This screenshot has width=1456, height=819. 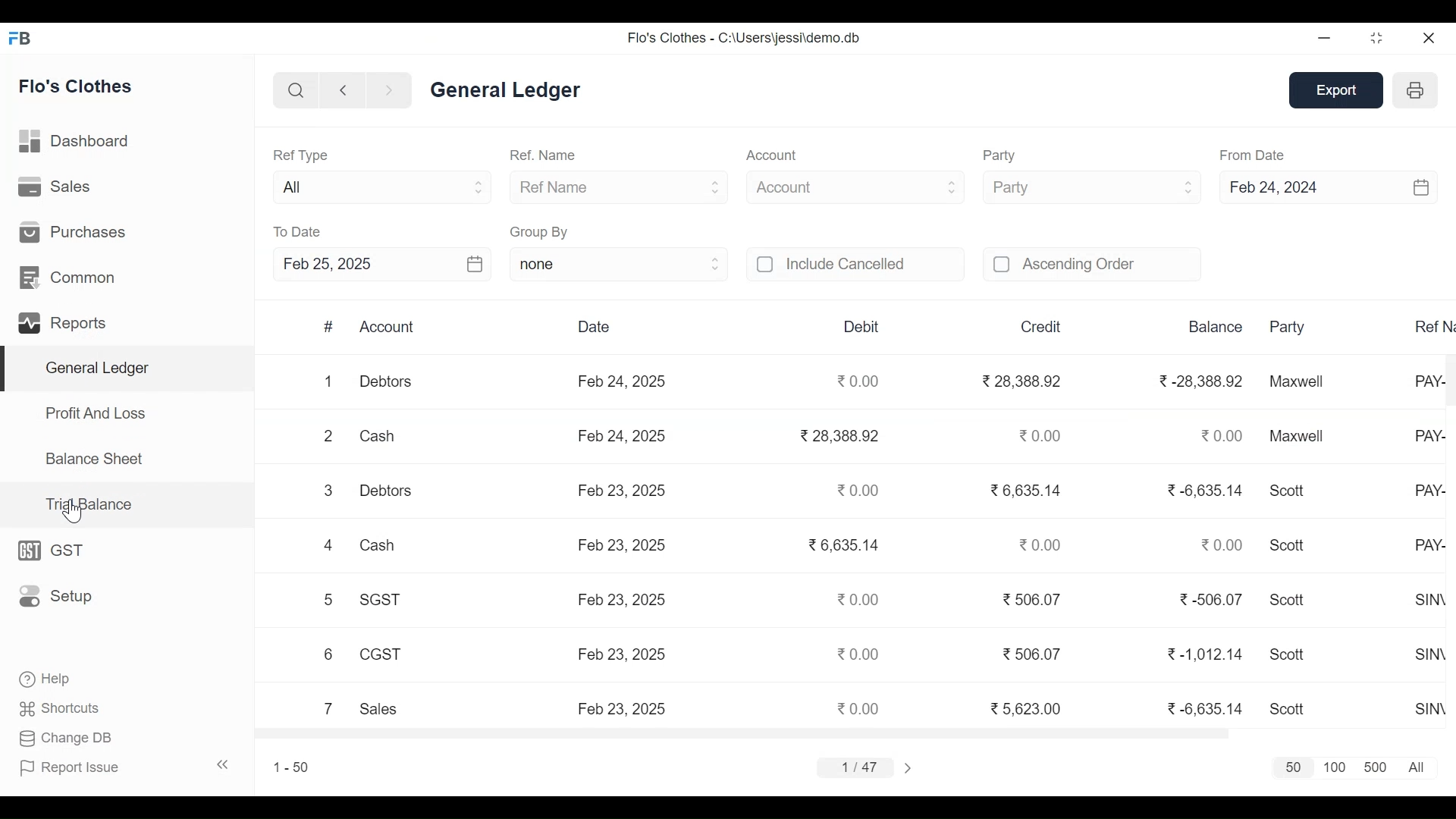 I want to click on 0.00, so click(x=1042, y=544).